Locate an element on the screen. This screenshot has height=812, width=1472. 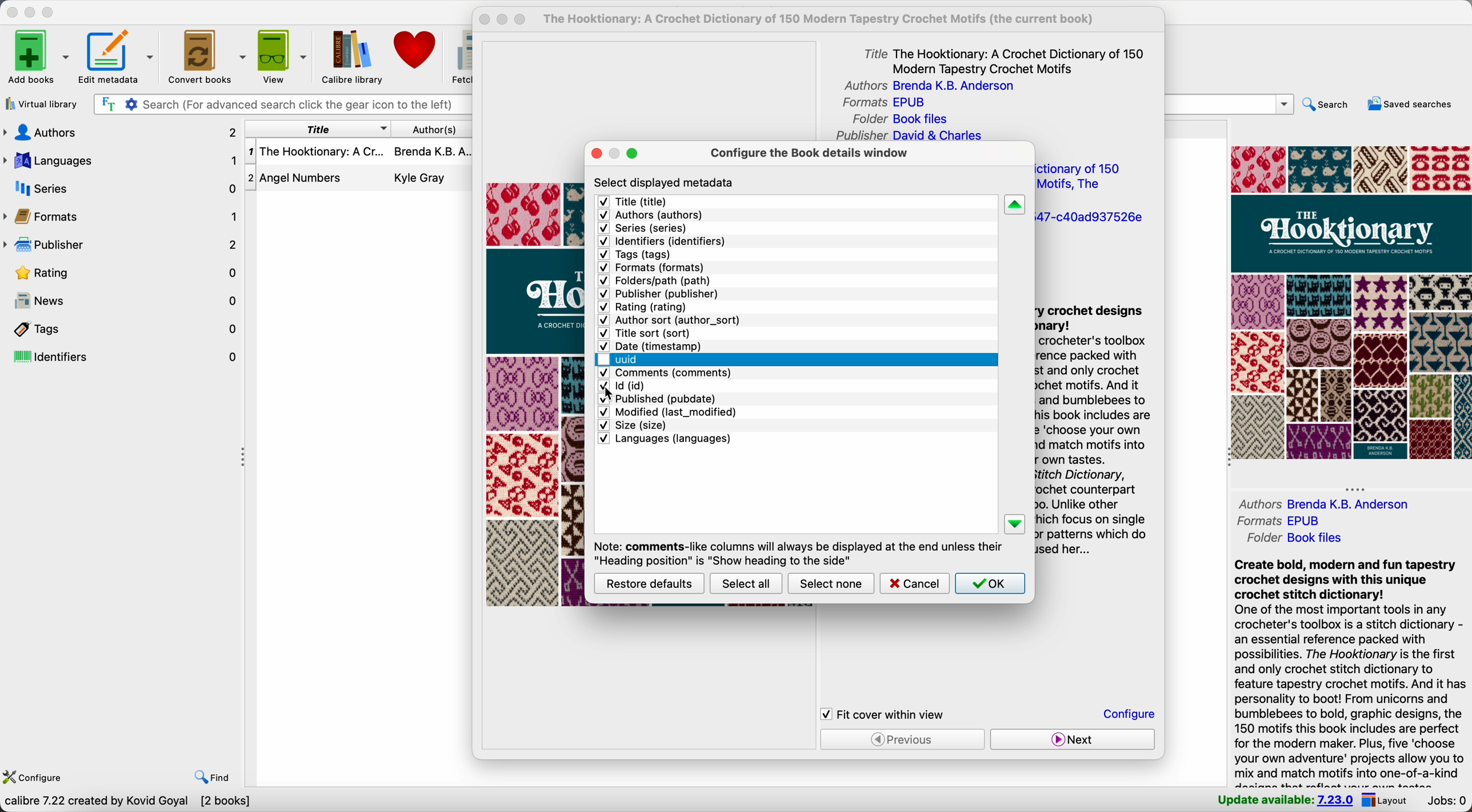
search is located at coordinates (1327, 107).